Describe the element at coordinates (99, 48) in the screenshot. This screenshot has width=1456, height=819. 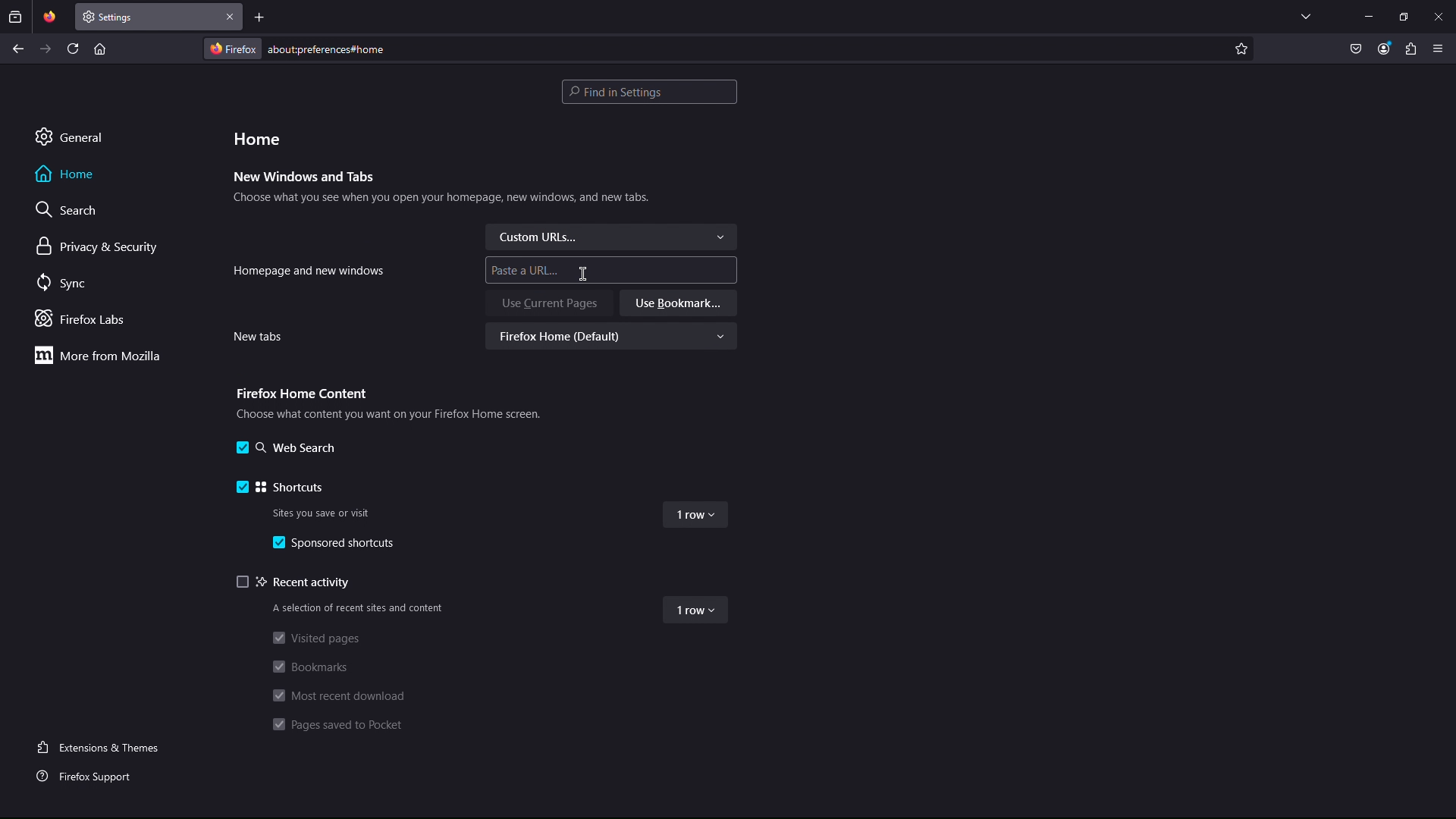
I see `Home page` at that location.